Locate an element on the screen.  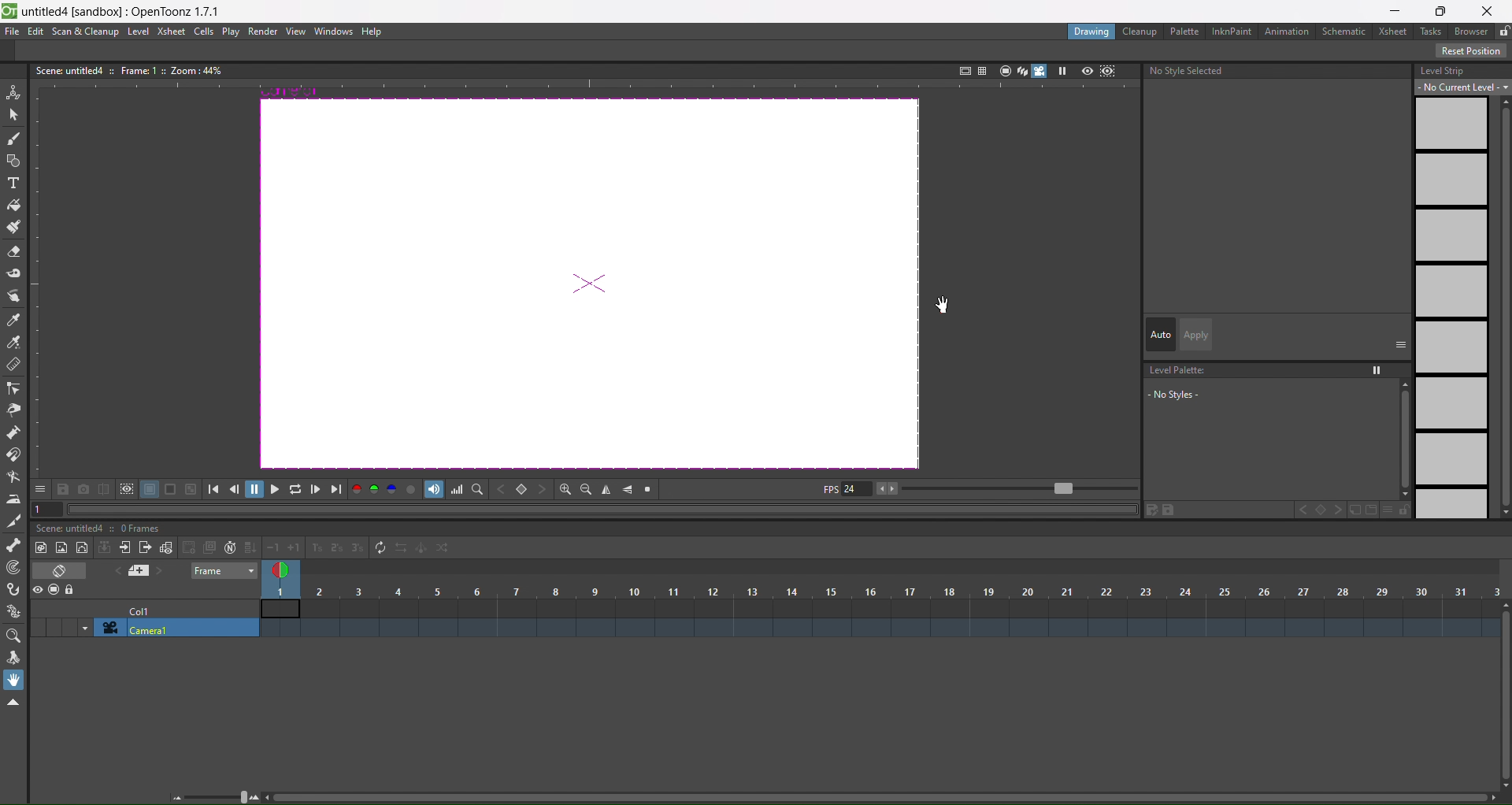
pump tool is located at coordinates (15, 432).